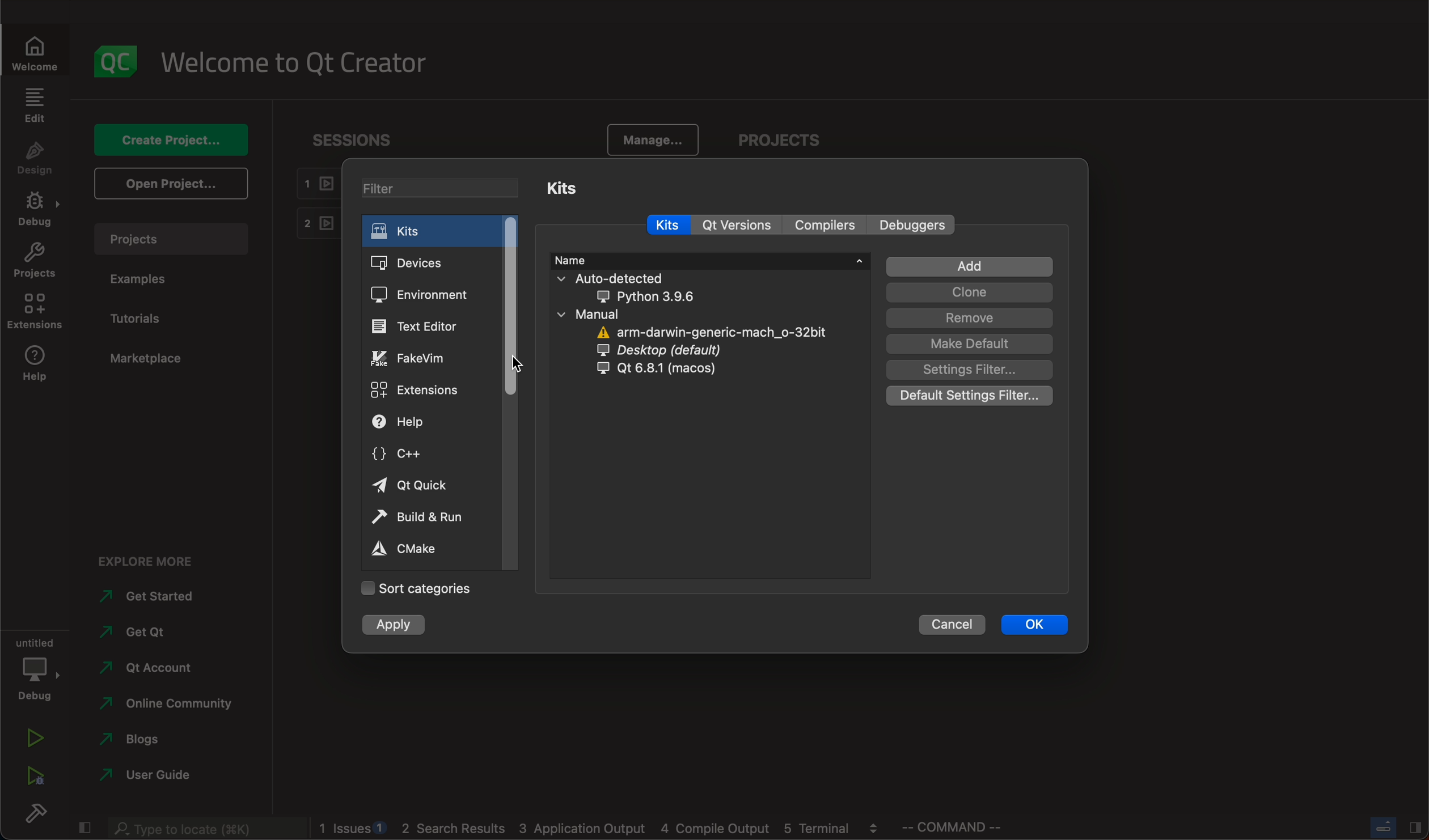 The height and width of the screenshot is (840, 1429). Describe the element at coordinates (965, 370) in the screenshot. I see `filter` at that location.